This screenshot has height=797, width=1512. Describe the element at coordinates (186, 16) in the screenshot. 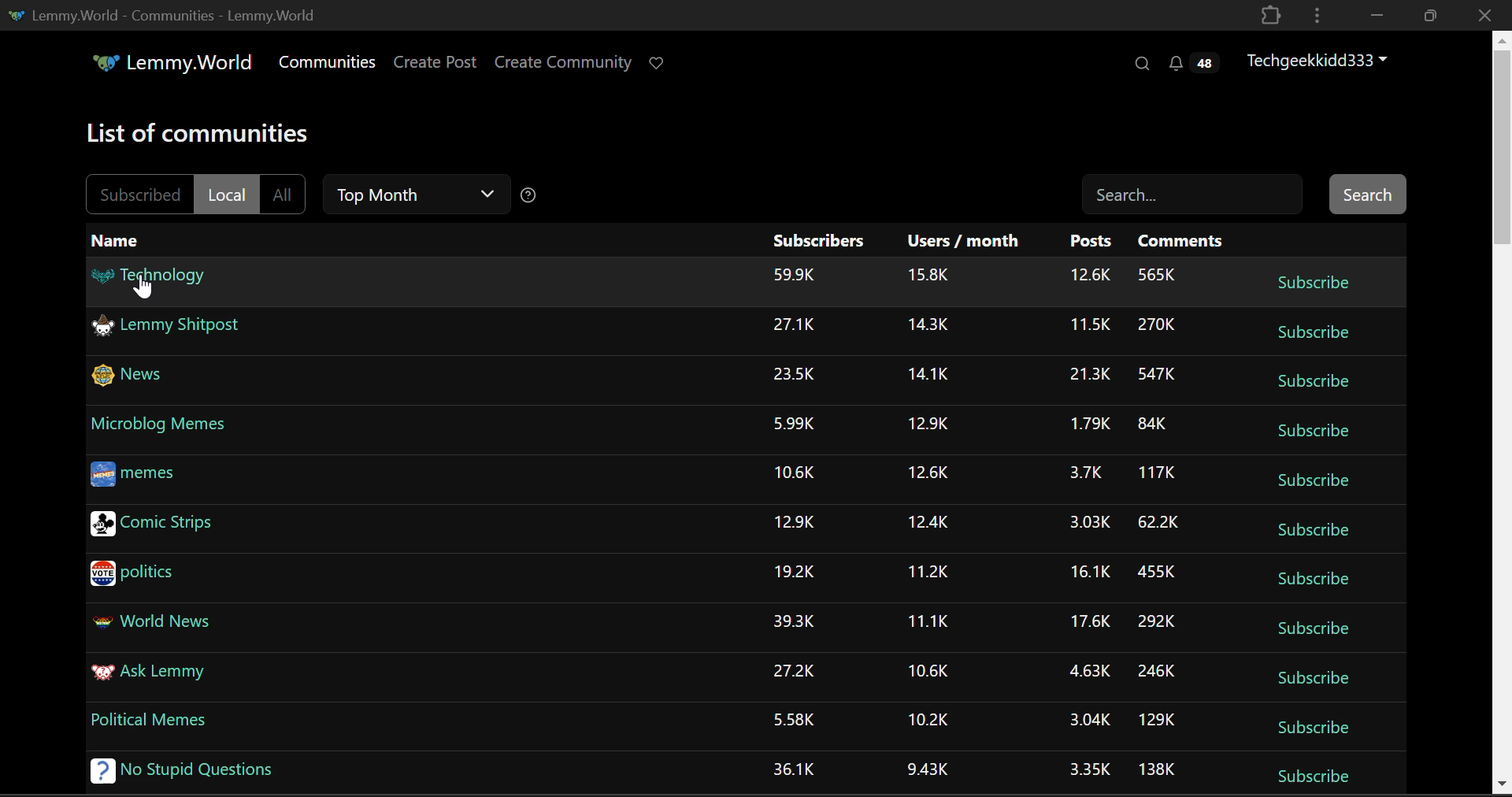

I see `Lemmy.World - Communities - Lemmy.World` at that location.